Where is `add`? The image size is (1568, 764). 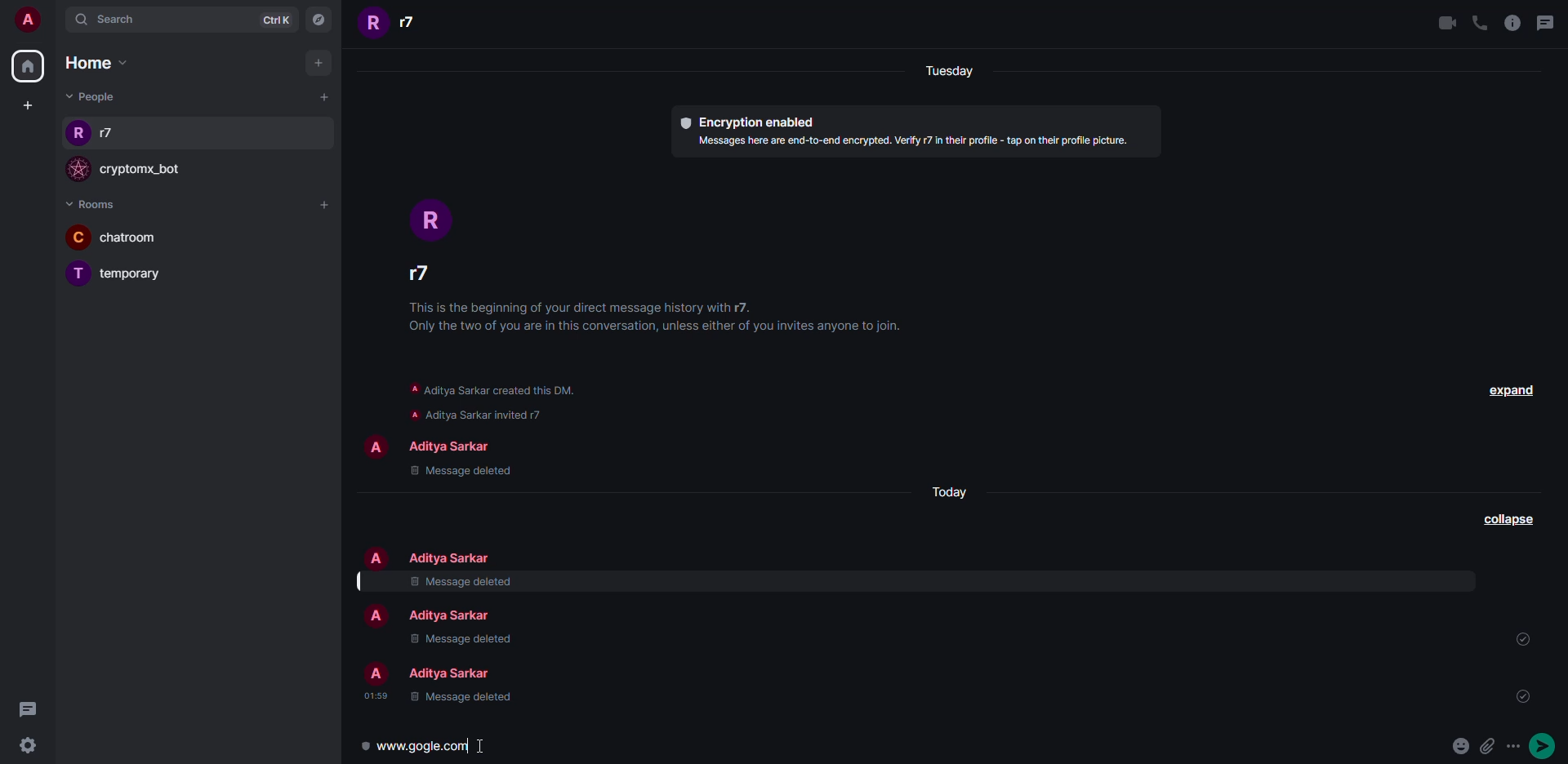 add is located at coordinates (323, 98).